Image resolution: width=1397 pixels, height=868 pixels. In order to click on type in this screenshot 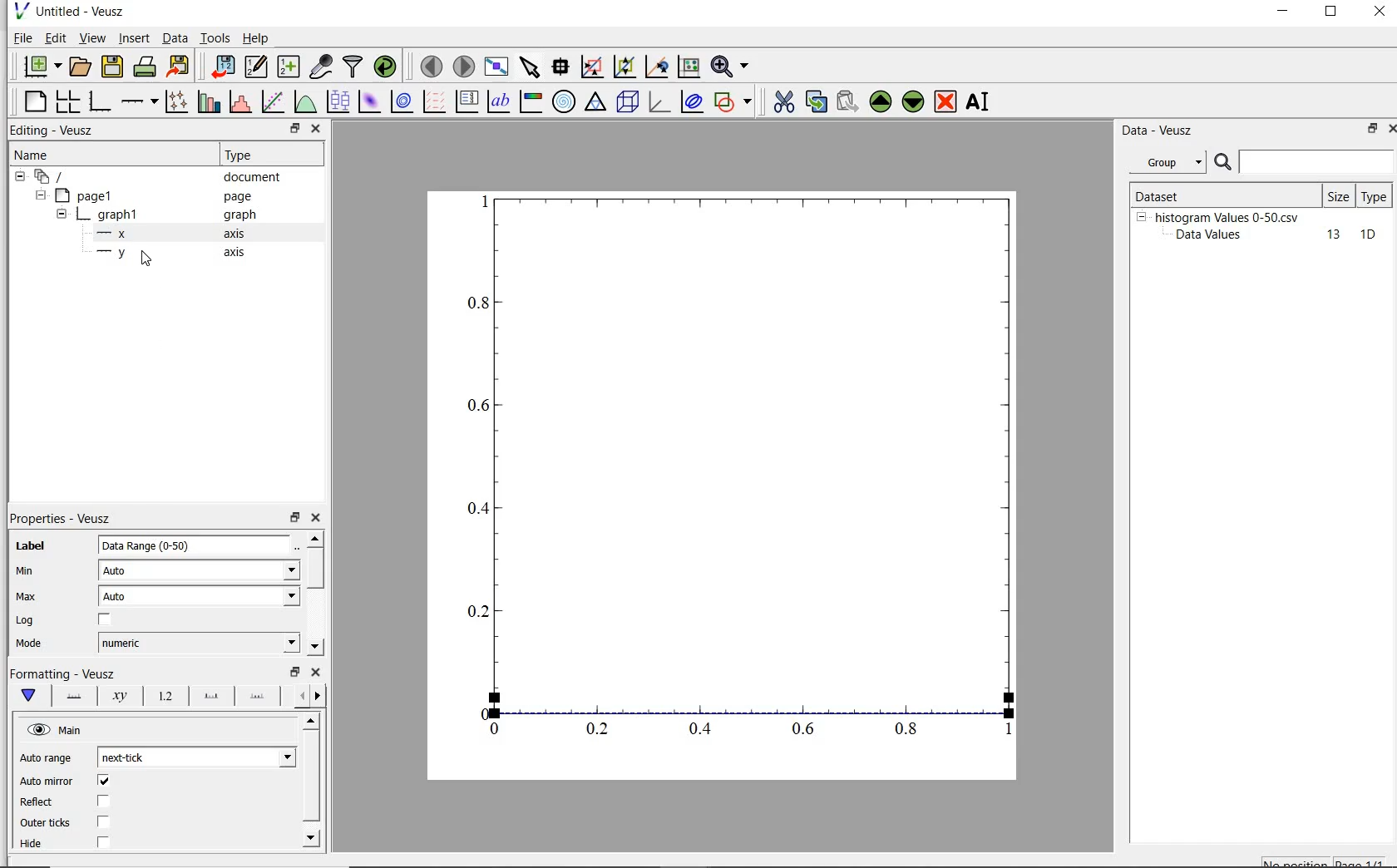, I will do `click(1375, 195)`.